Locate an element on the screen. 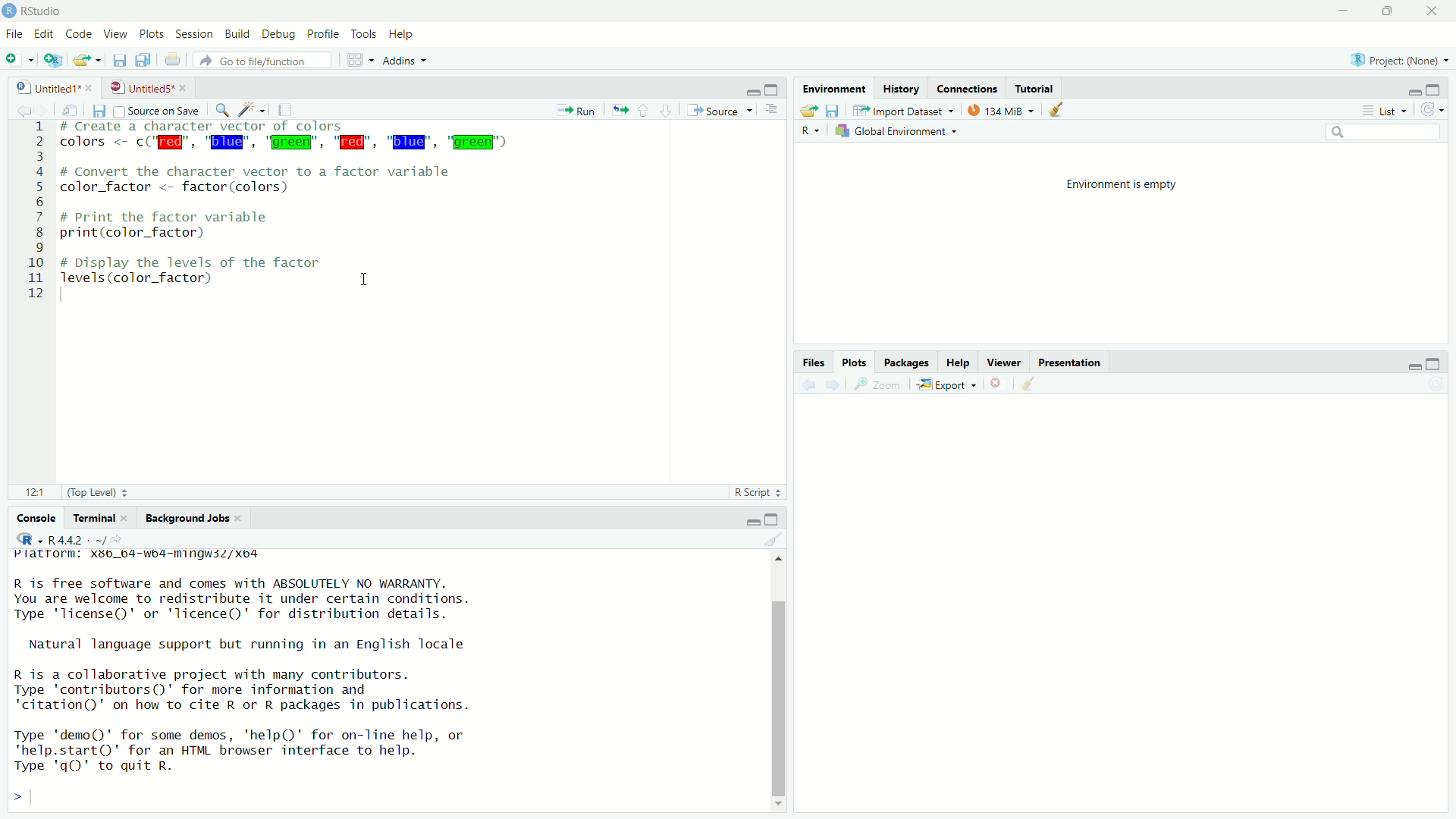 This screenshot has width=1456, height=819. search field is located at coordinates (1387, 134).